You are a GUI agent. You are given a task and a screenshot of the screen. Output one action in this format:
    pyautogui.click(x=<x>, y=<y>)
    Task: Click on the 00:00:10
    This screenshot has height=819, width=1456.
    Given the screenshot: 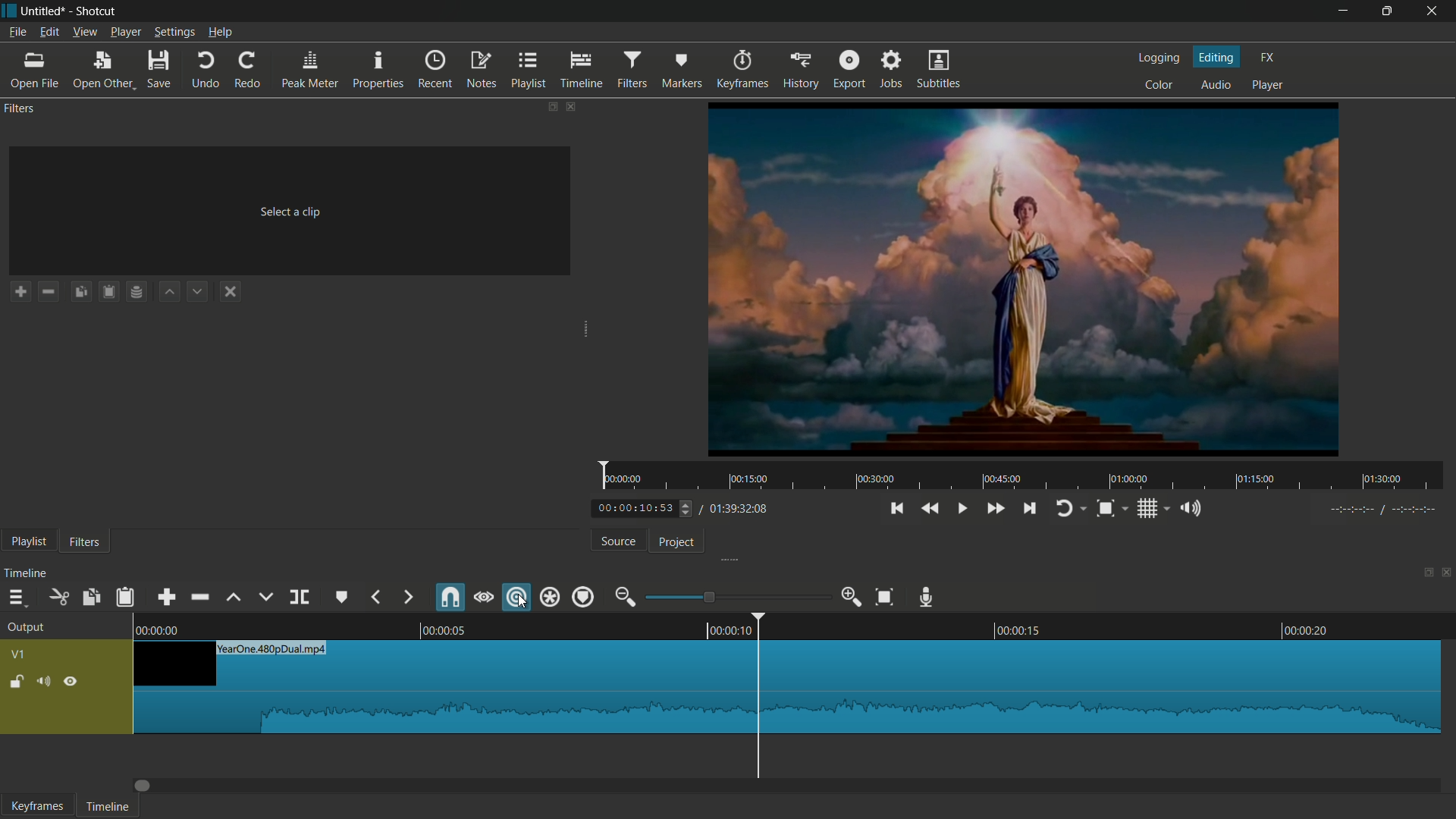 What is the action you would take?
    pyautogui.click(x=727, y=631)
    